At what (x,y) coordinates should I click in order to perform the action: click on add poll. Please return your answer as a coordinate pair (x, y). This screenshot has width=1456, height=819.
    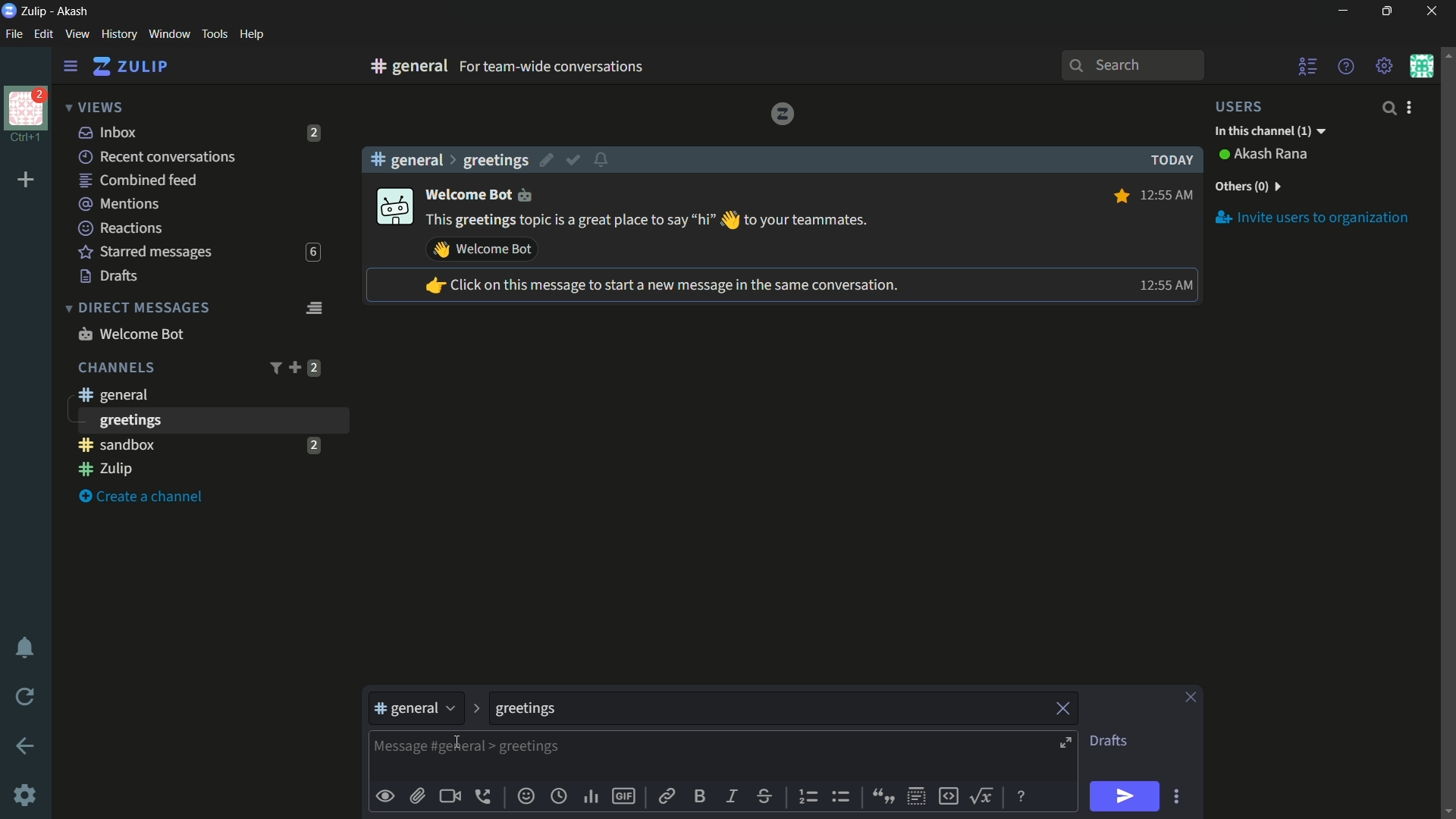
    Looking at the image, I should click on (592, 798).